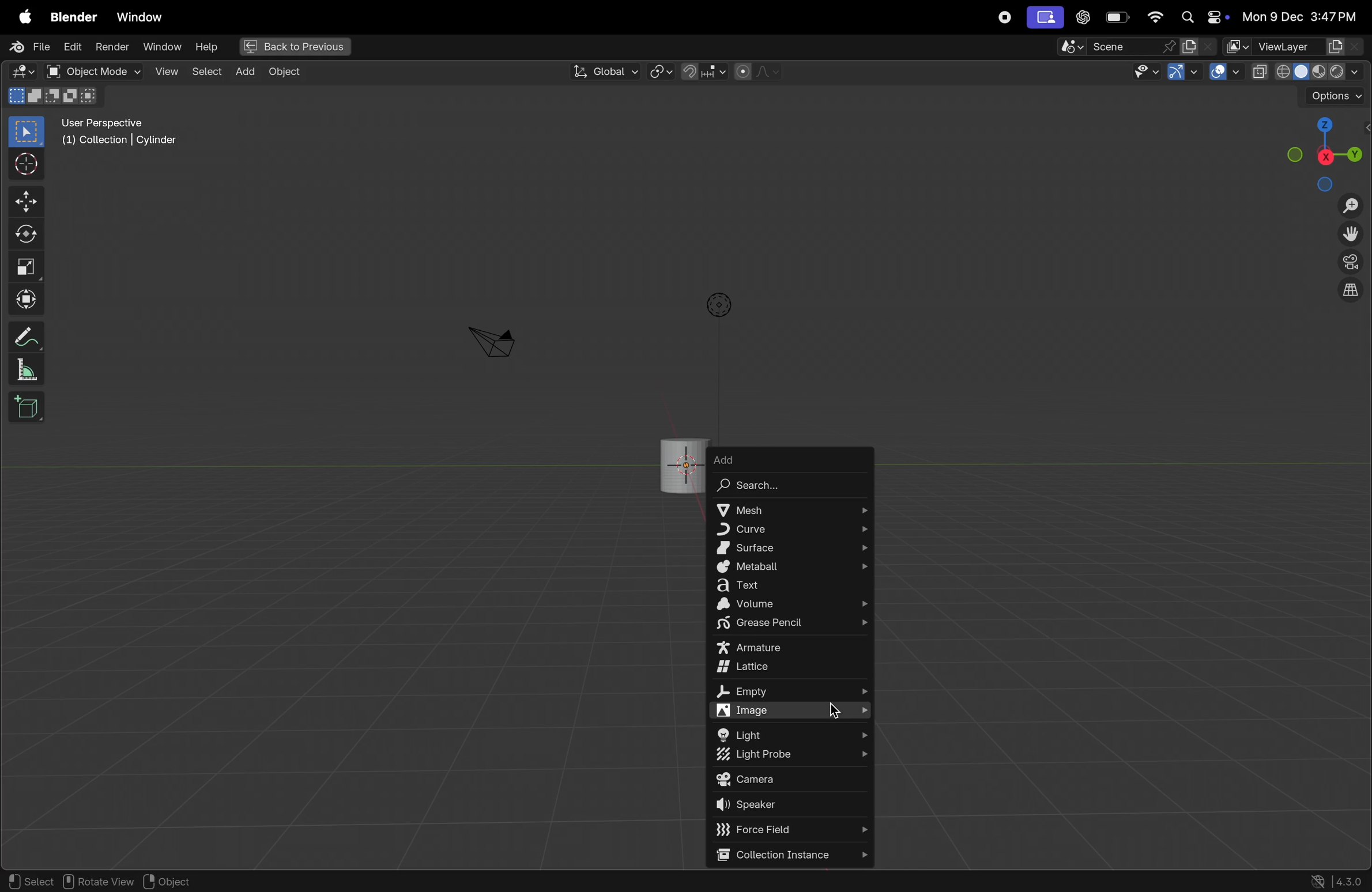  Describe the element at coordinates (791, 649) in the screenshot. I see `ameture` at that location.